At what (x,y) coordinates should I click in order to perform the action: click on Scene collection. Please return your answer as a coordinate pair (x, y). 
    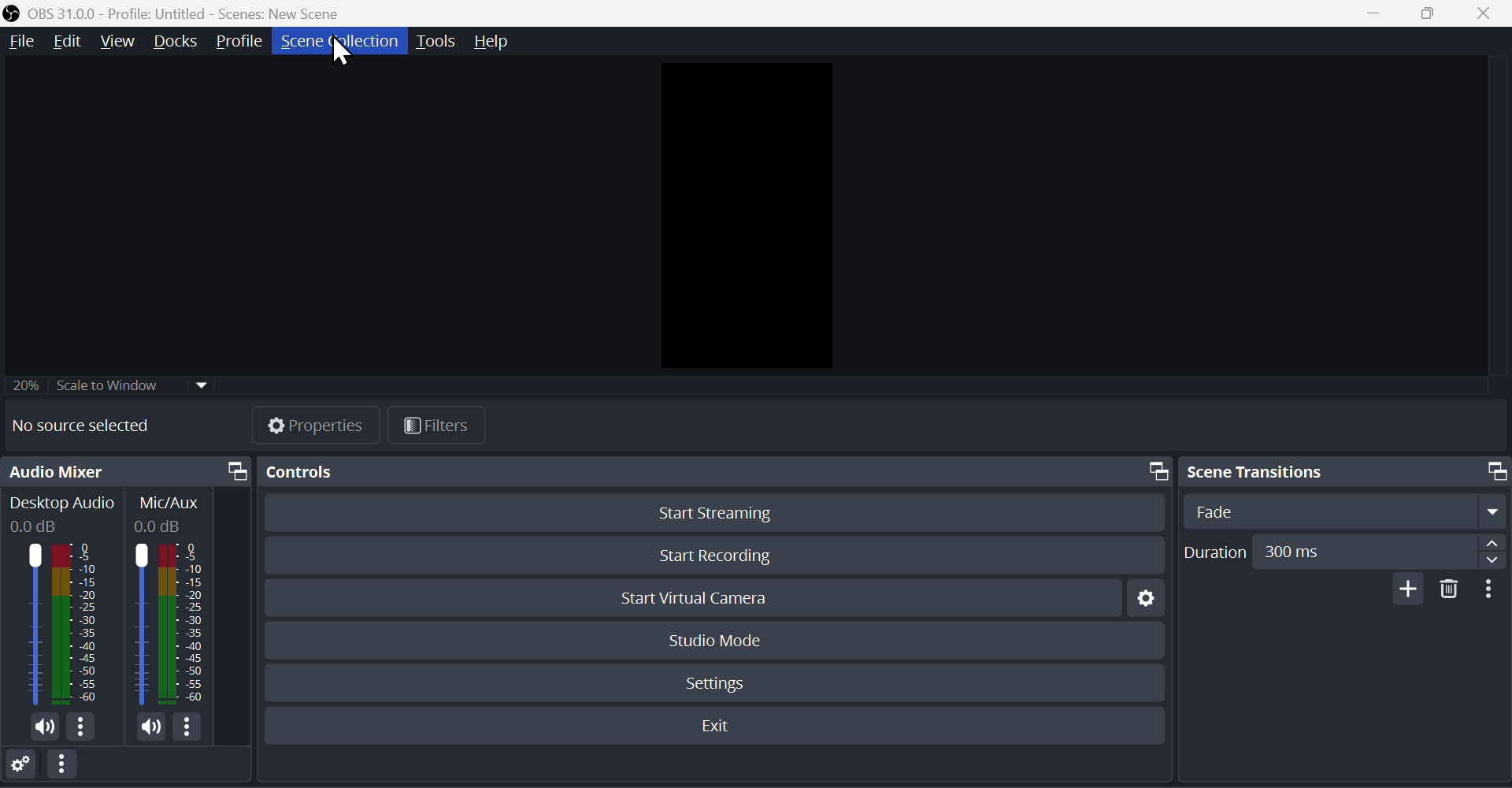
    Looking at the image, I should click on (337, 41).